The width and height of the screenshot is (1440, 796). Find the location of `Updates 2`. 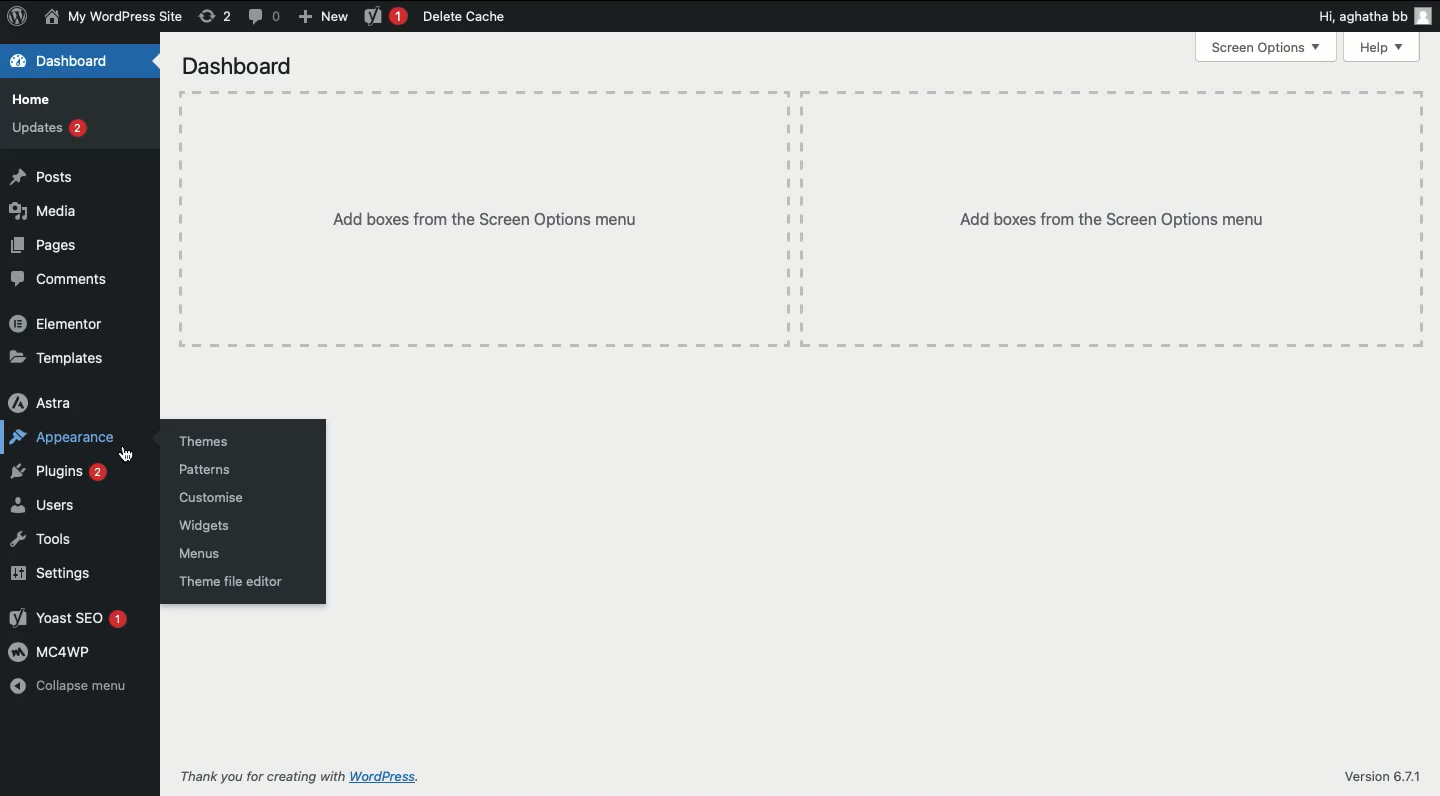

Updates 2 is located at coordinates (55, 130).